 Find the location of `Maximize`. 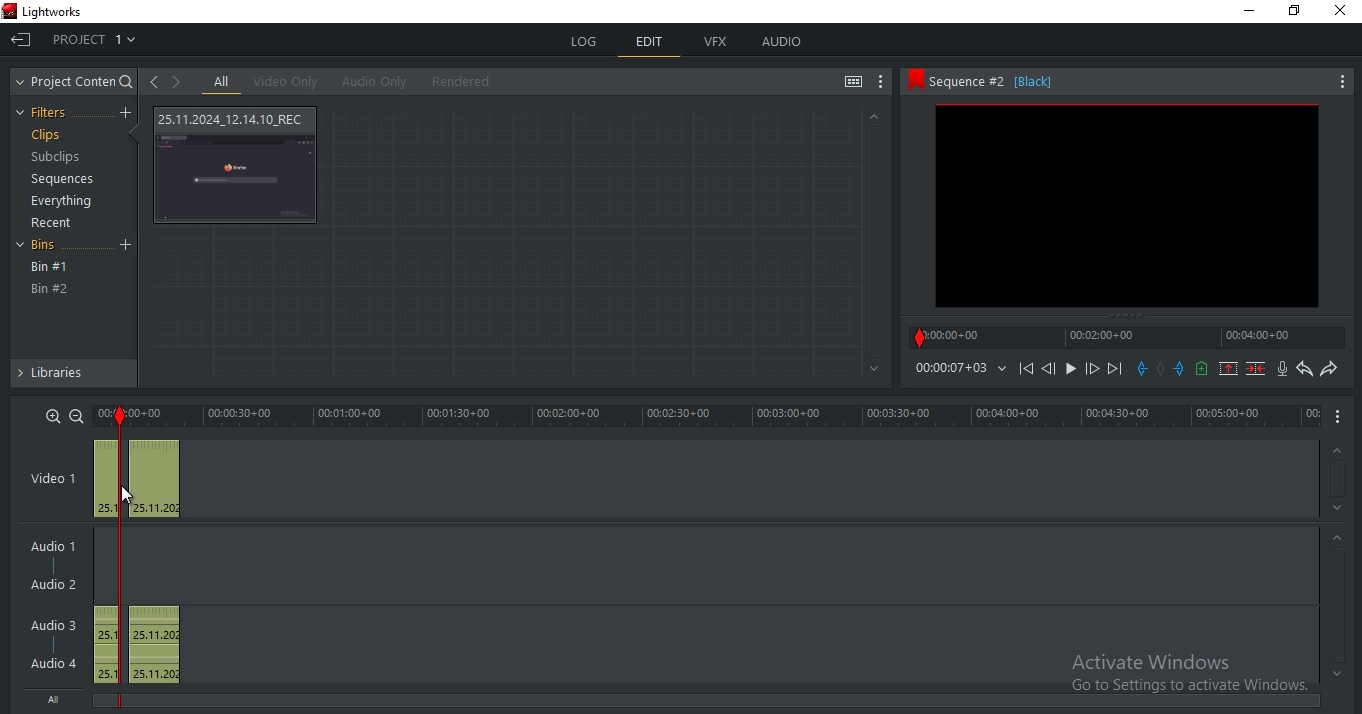

Maximize is located at coordinates (1299, 14).